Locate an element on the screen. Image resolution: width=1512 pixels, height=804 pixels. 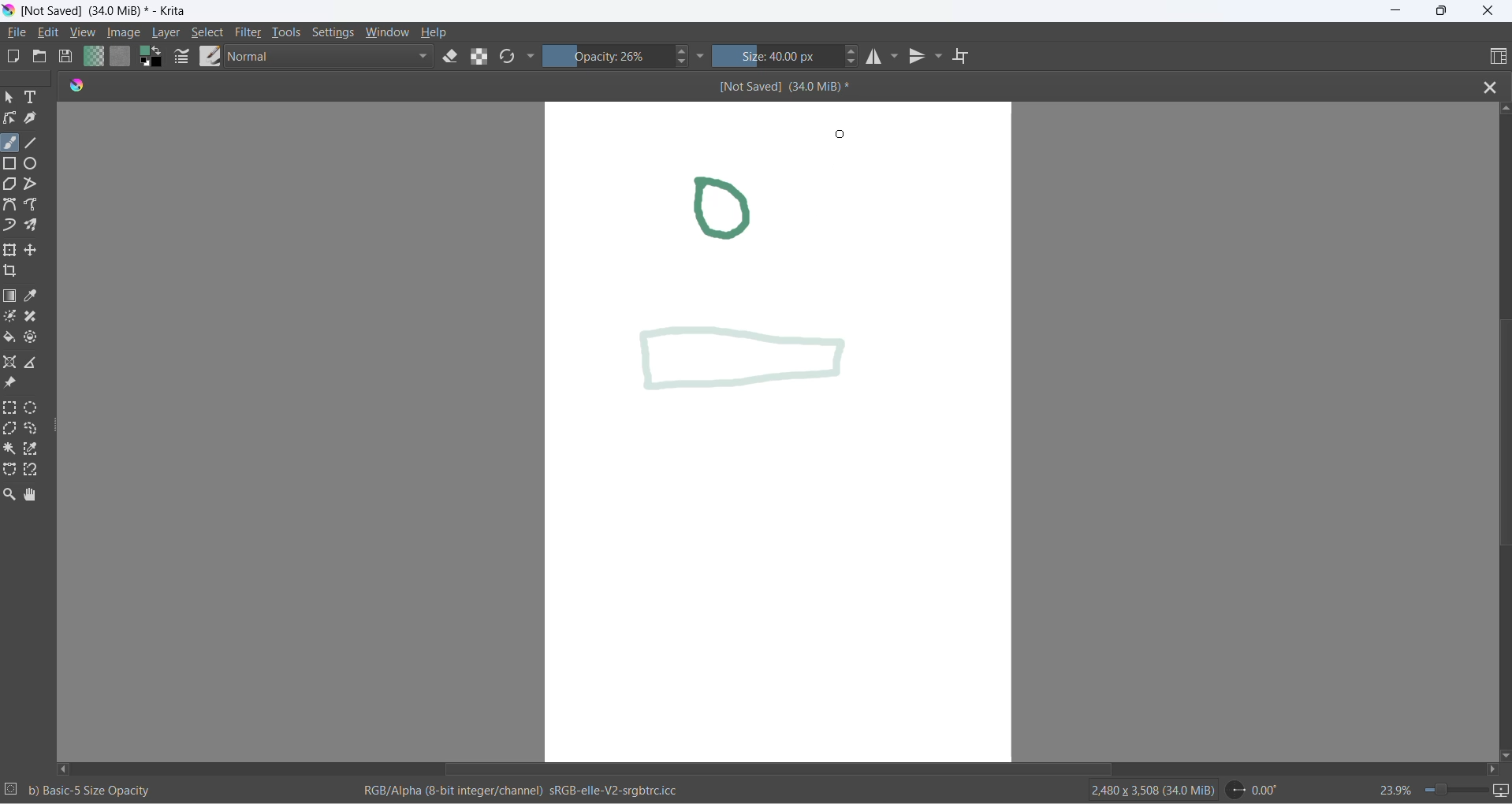
open document is located at coordinates (45, 58).